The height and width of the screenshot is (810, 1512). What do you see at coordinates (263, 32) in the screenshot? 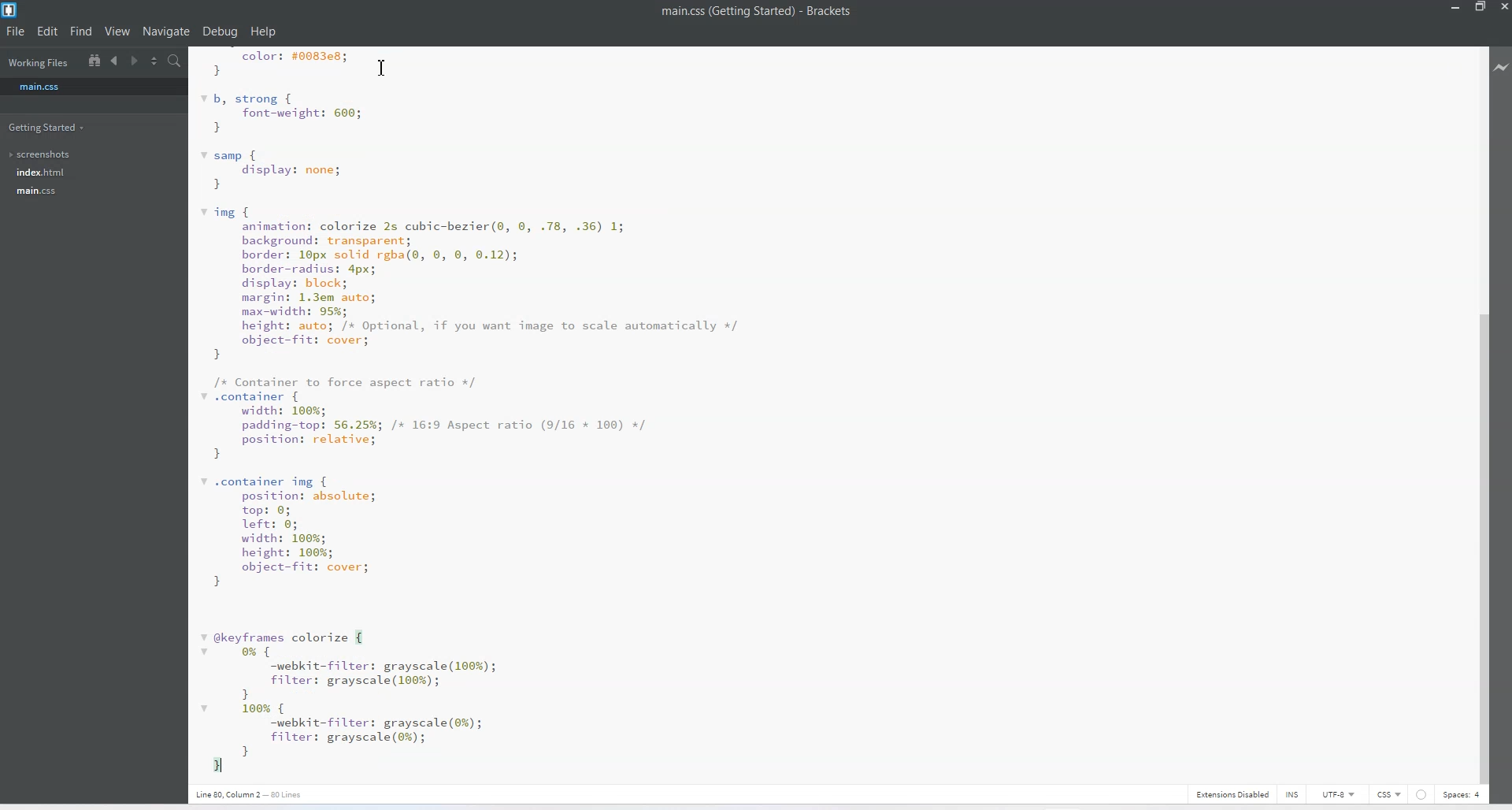
I see `Help` at bounding box center [263, 32].